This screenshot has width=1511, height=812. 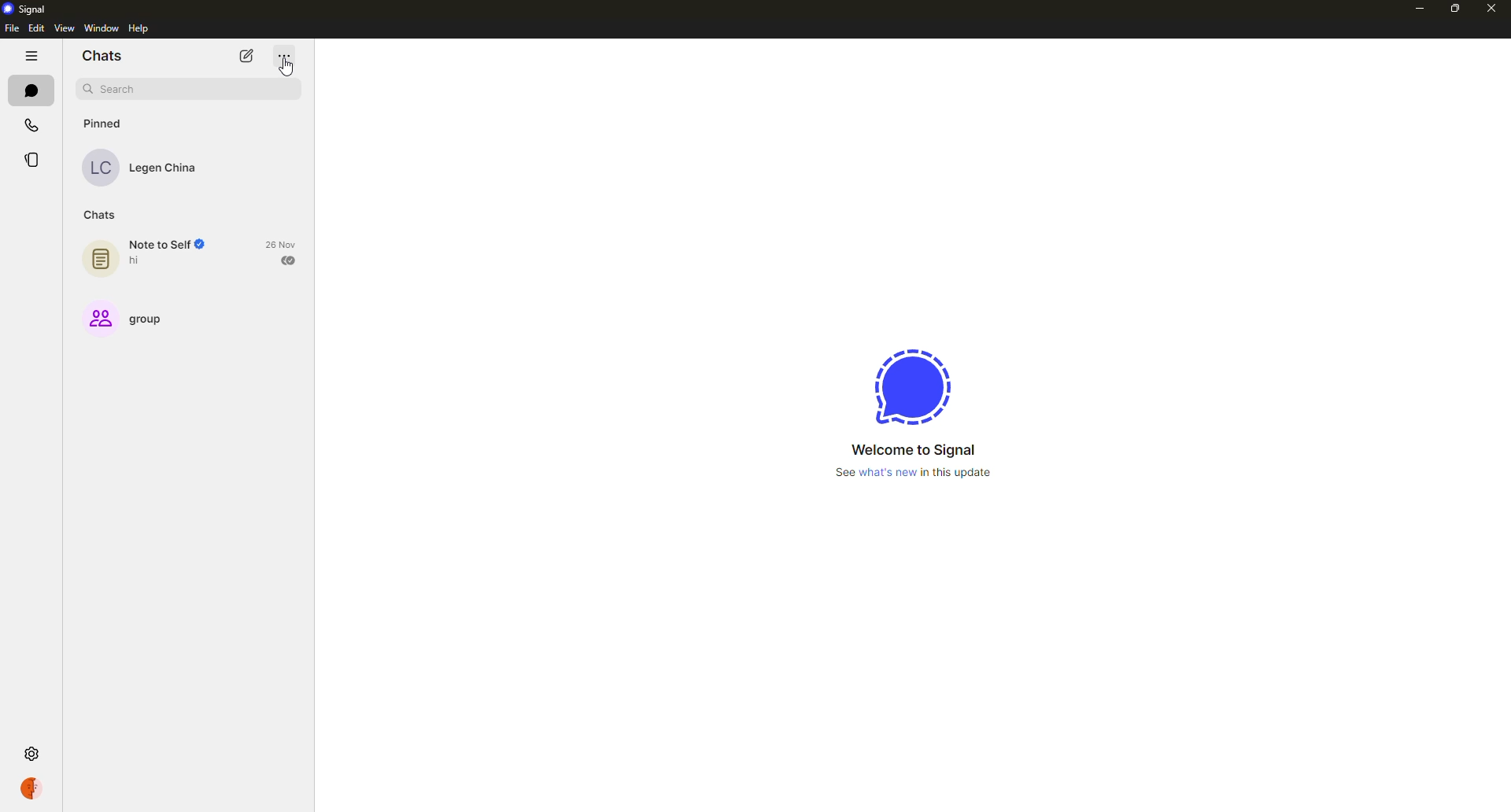 What do you see at coordinates (284, 56) in the screenshot?
I see `more` at bounding box center [284, 56].